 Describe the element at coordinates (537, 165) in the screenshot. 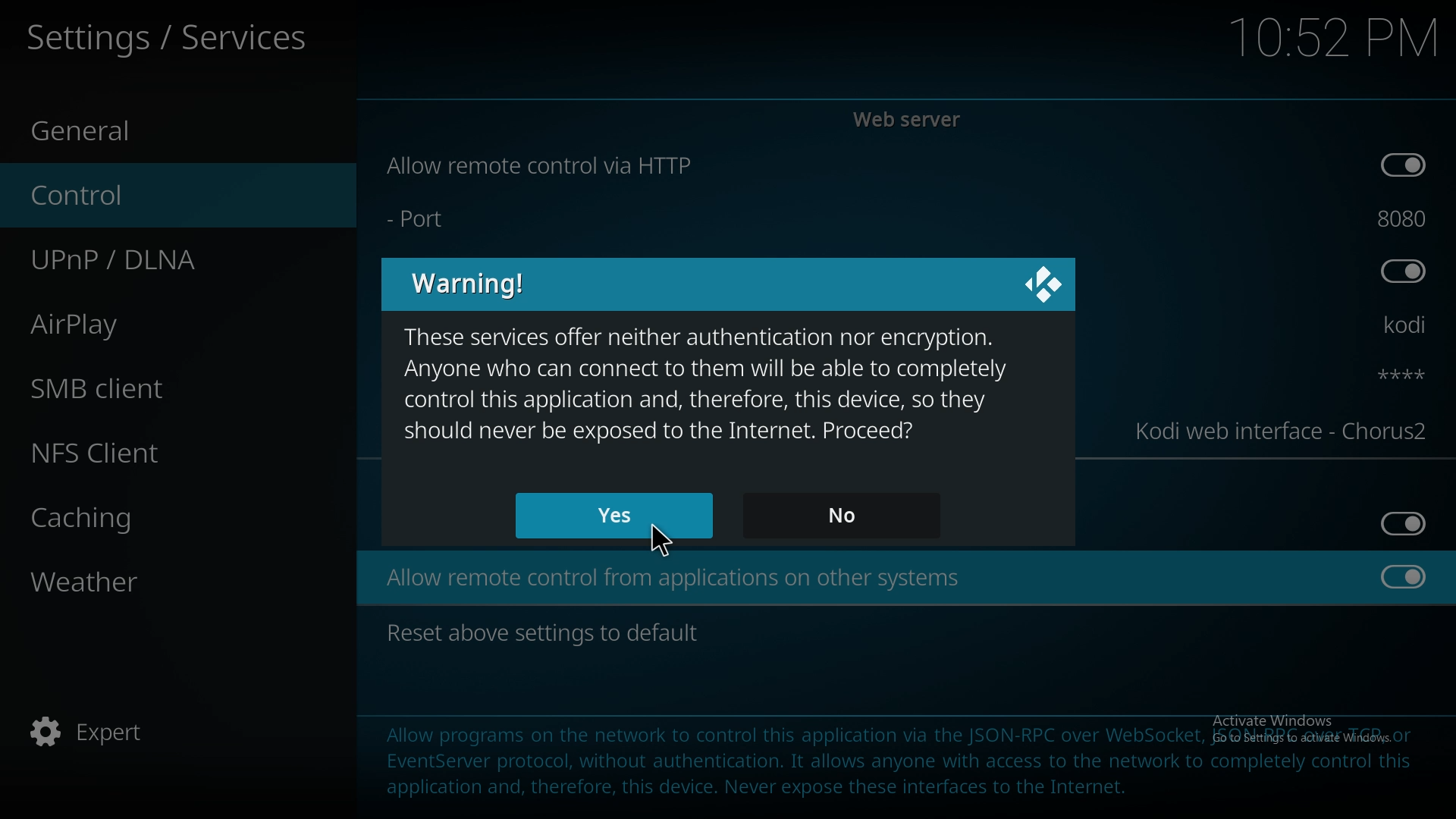

I see `allow remote control via http` at that location.